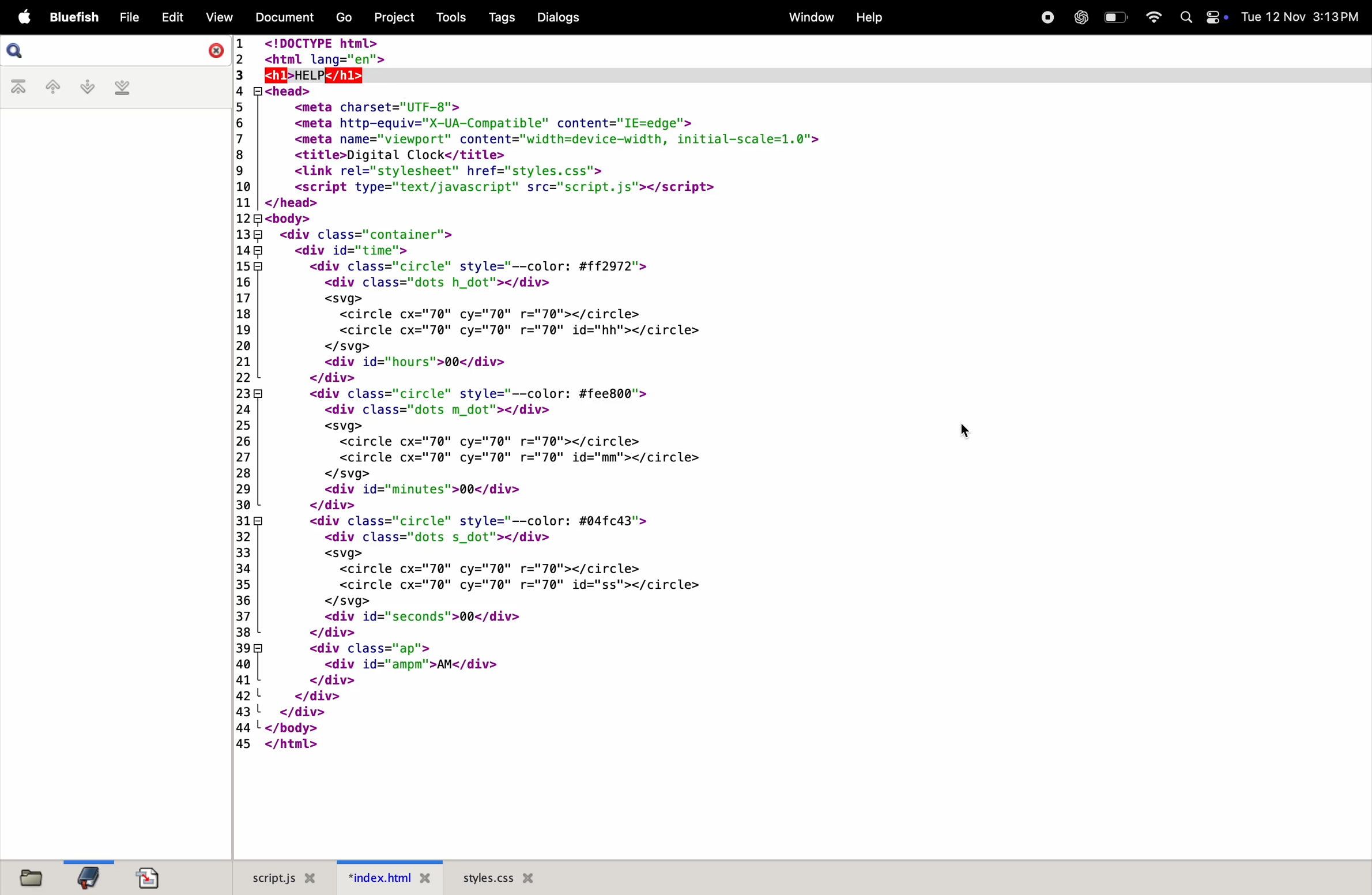  I want to click on tools, so click(447, 17).